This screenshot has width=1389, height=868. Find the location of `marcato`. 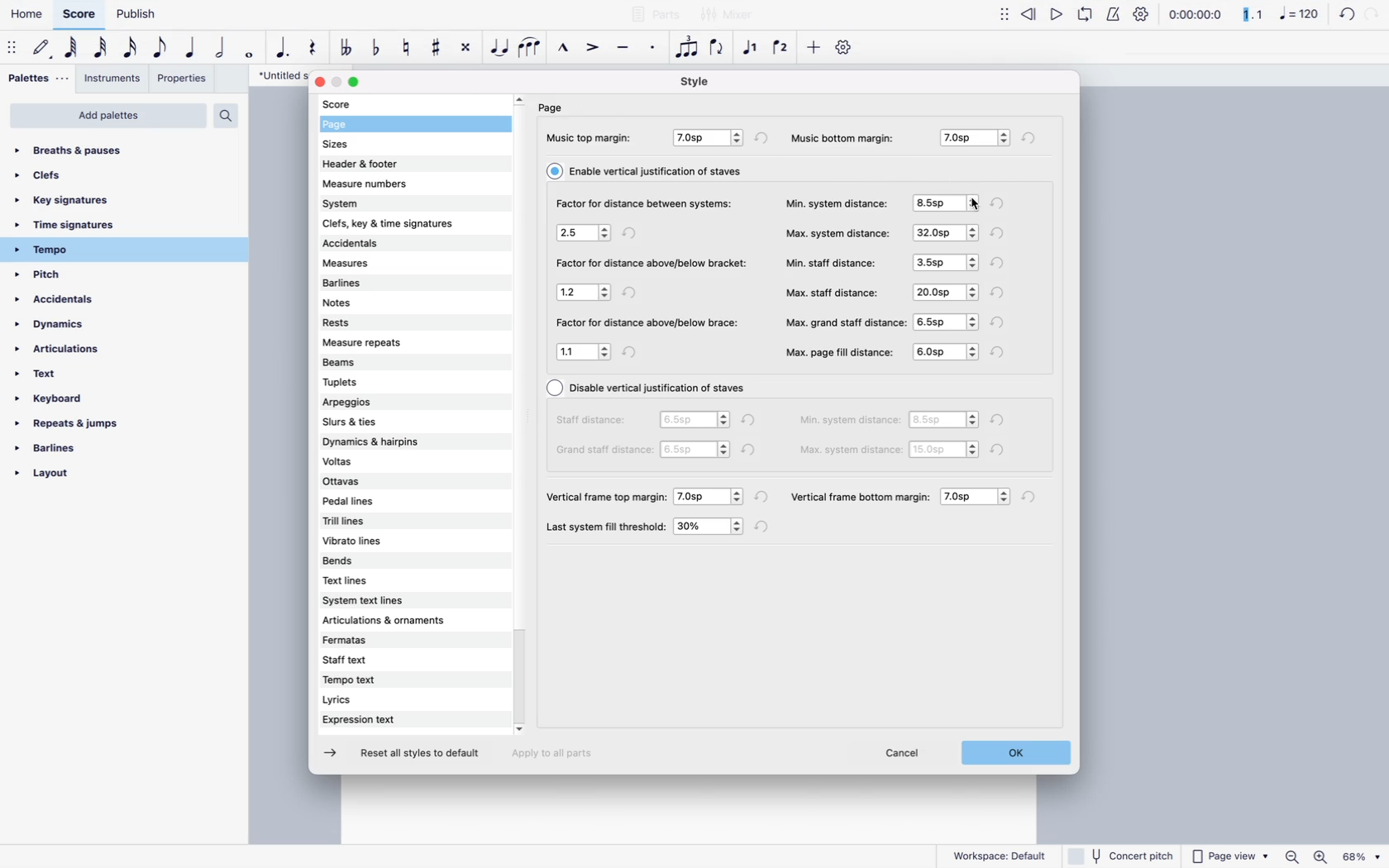

marcato is located at coordinates (566, 48).